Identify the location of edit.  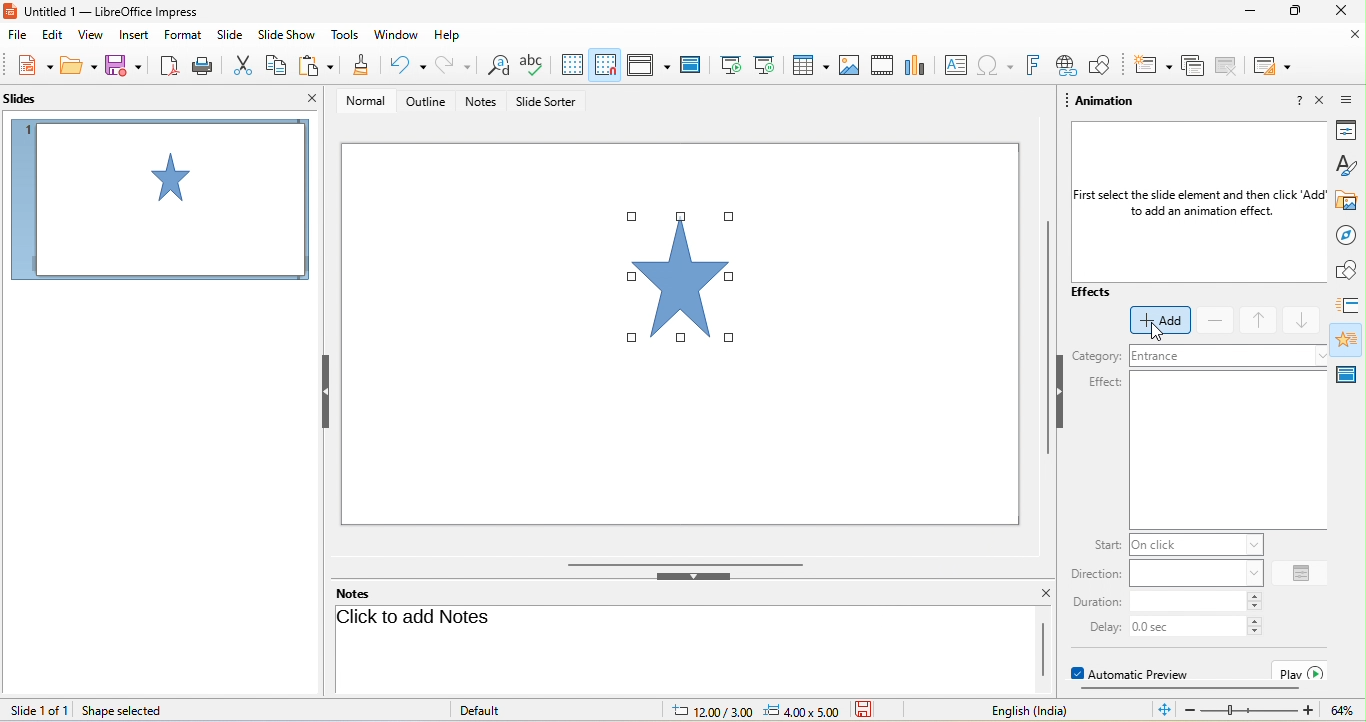
(52, 36).